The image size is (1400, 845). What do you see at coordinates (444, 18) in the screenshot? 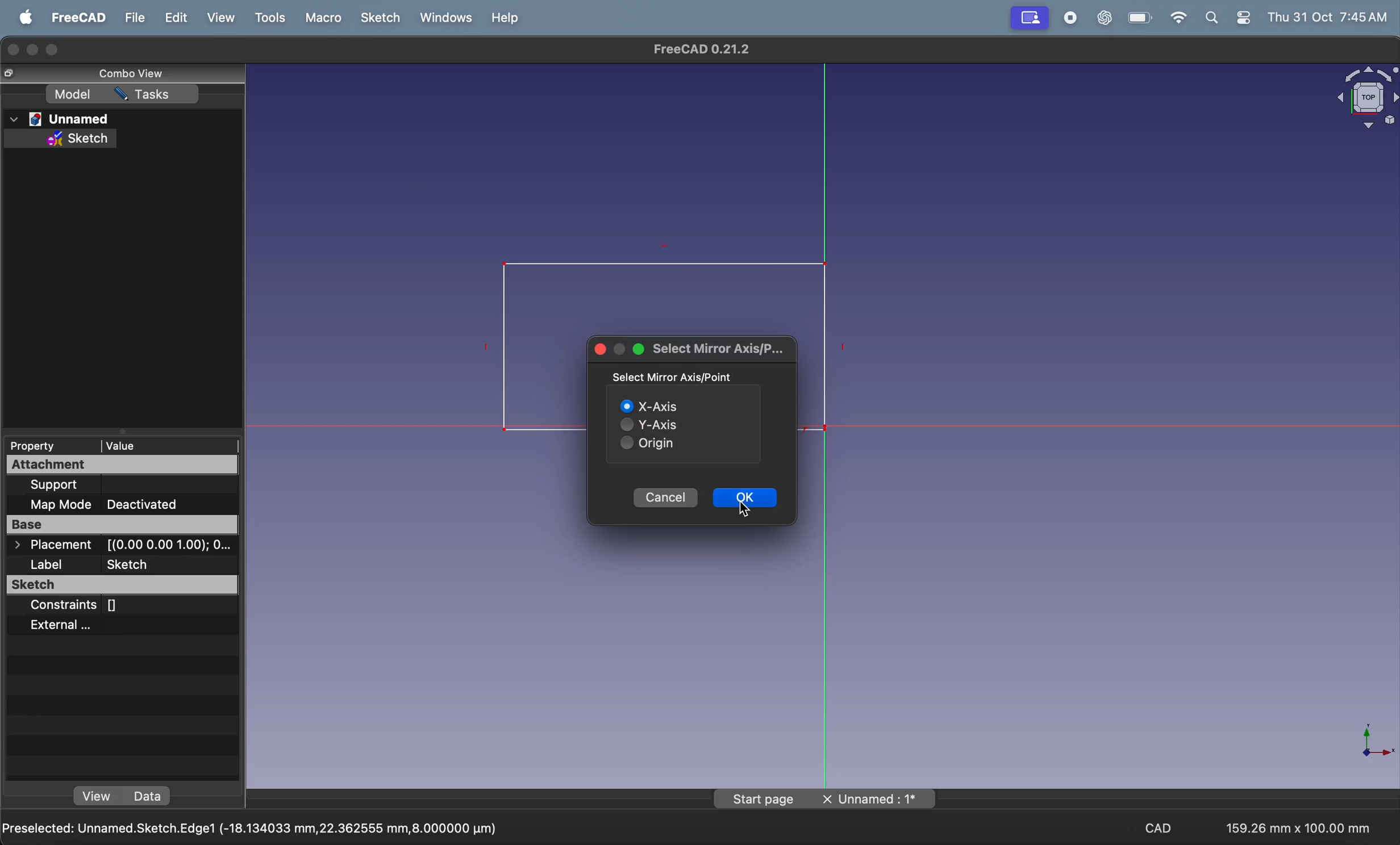
I see `windows` at bounding box center [444, 18].